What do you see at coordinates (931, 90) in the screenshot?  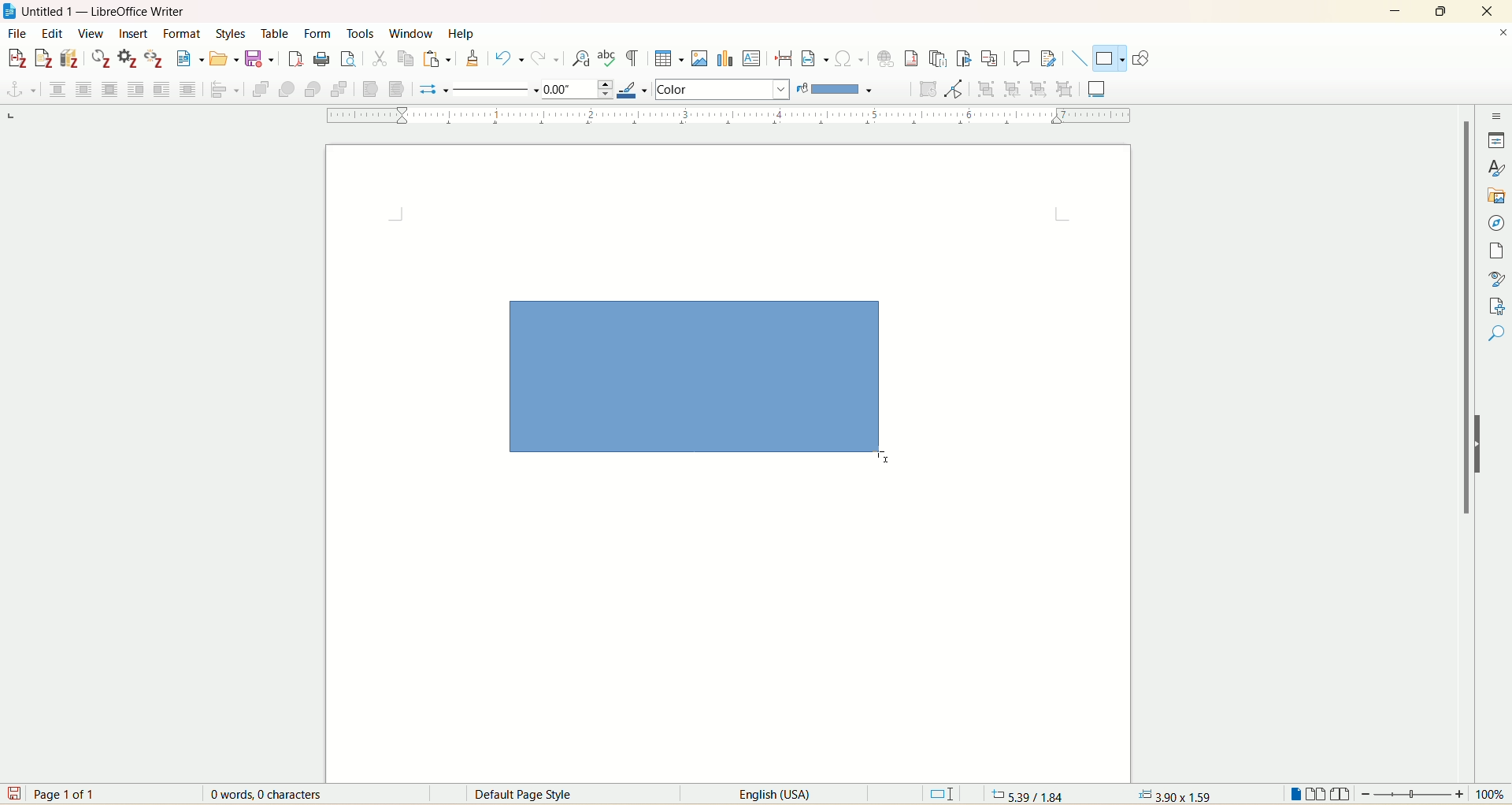 I see `rotate` at bounding box center [931, 90].